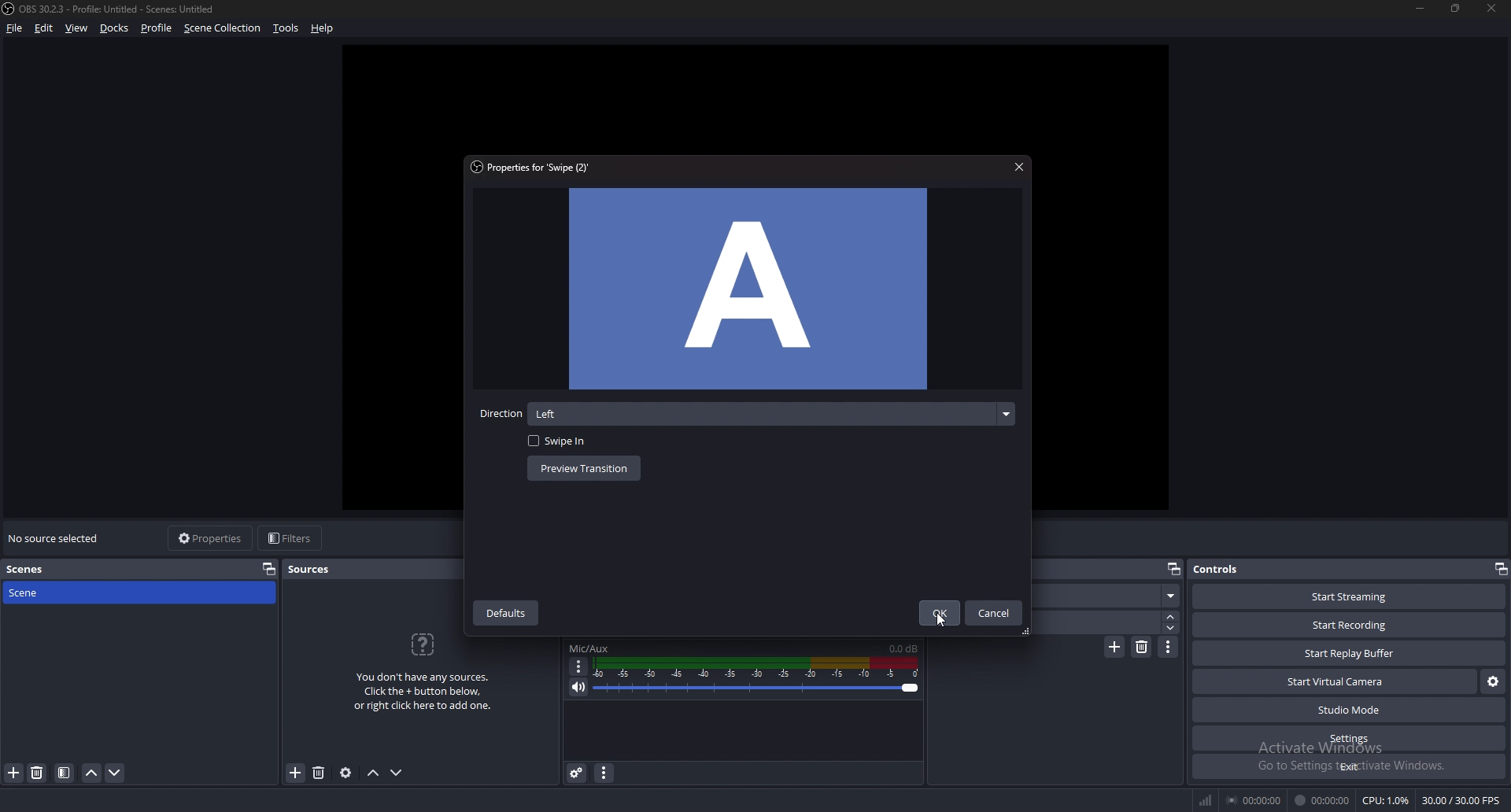 The image size is (1511, 812). What do you see at coordinates (52, 593) in the screenshot?
I see `scene` at bounding box center [52, 593].